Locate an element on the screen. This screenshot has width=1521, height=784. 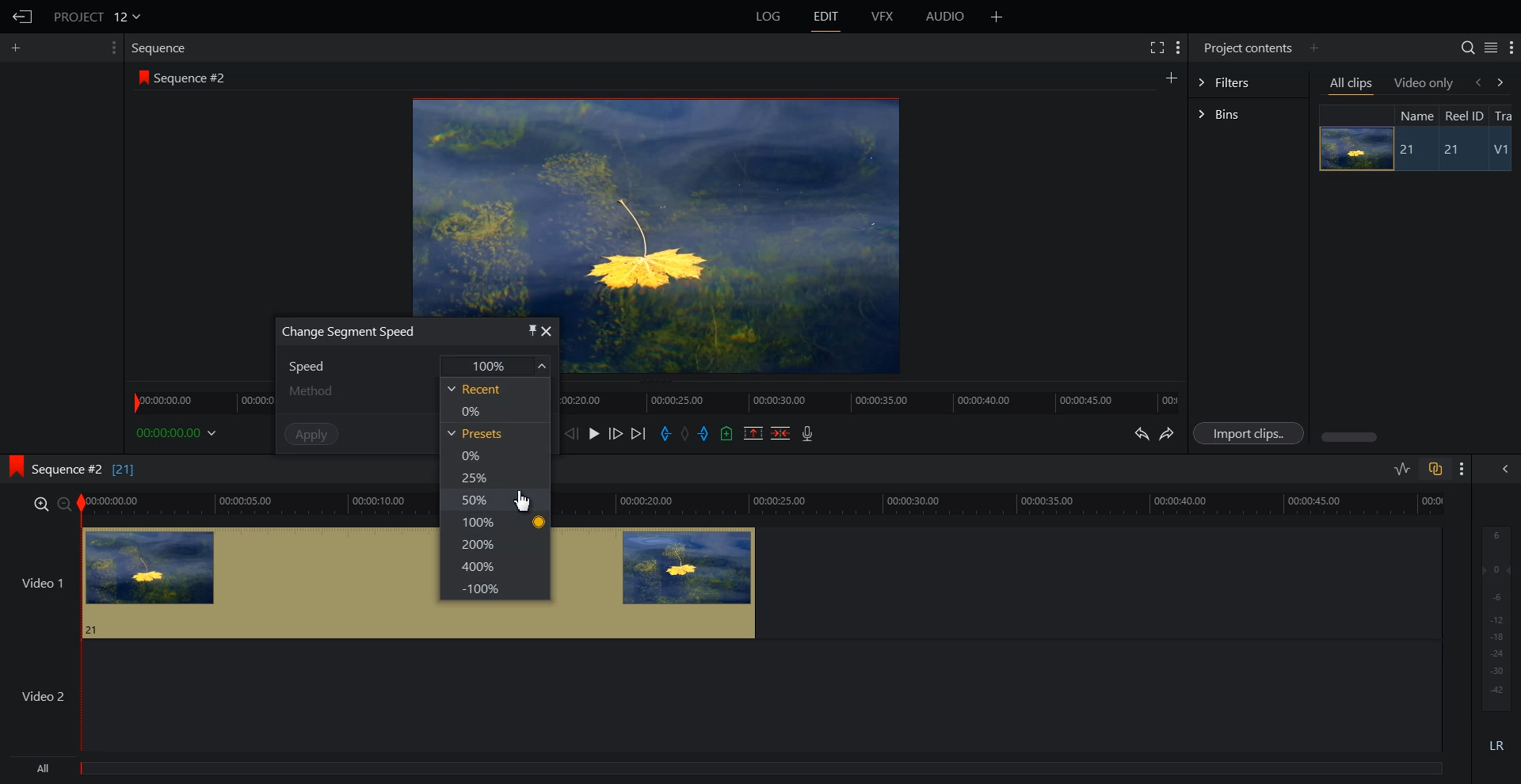
Undo is located at coordinates (1139, 434).